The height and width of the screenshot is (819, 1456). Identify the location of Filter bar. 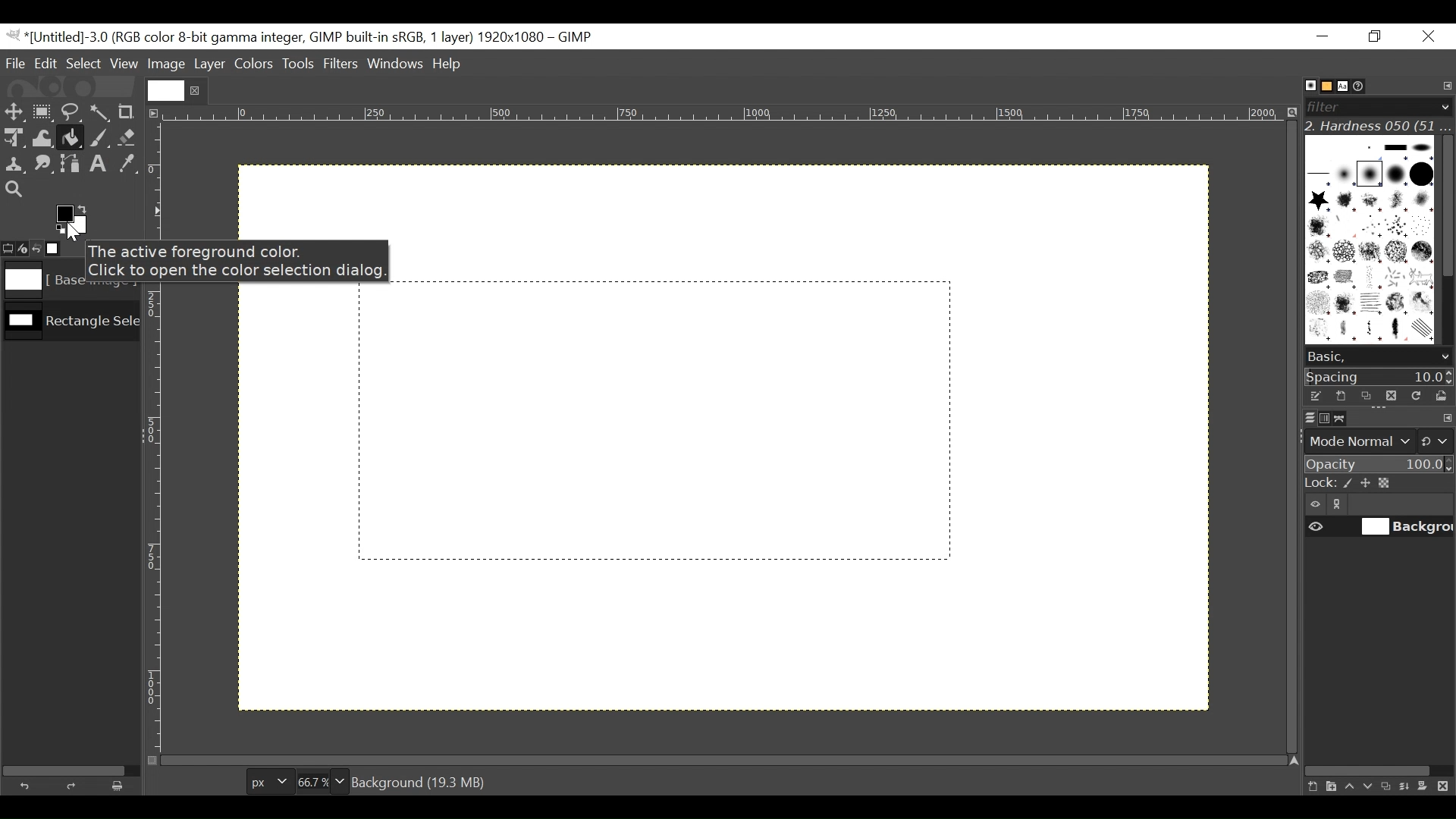
(1377, 105).